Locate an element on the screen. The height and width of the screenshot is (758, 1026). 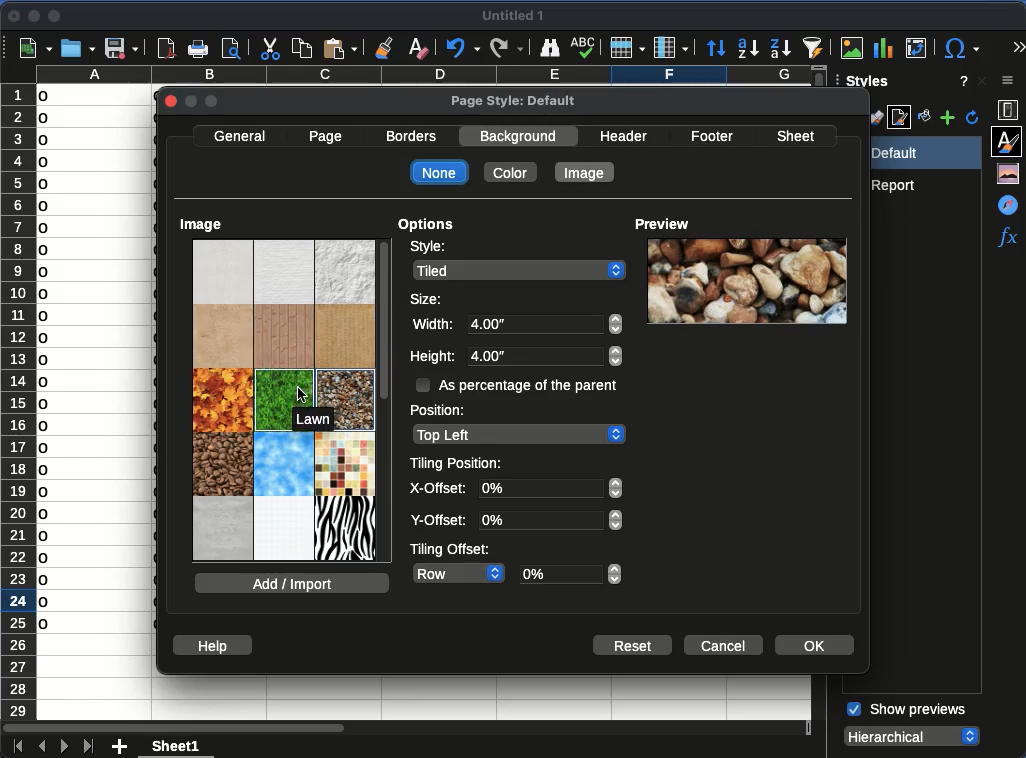
copy is located at coordinates (301, 46).